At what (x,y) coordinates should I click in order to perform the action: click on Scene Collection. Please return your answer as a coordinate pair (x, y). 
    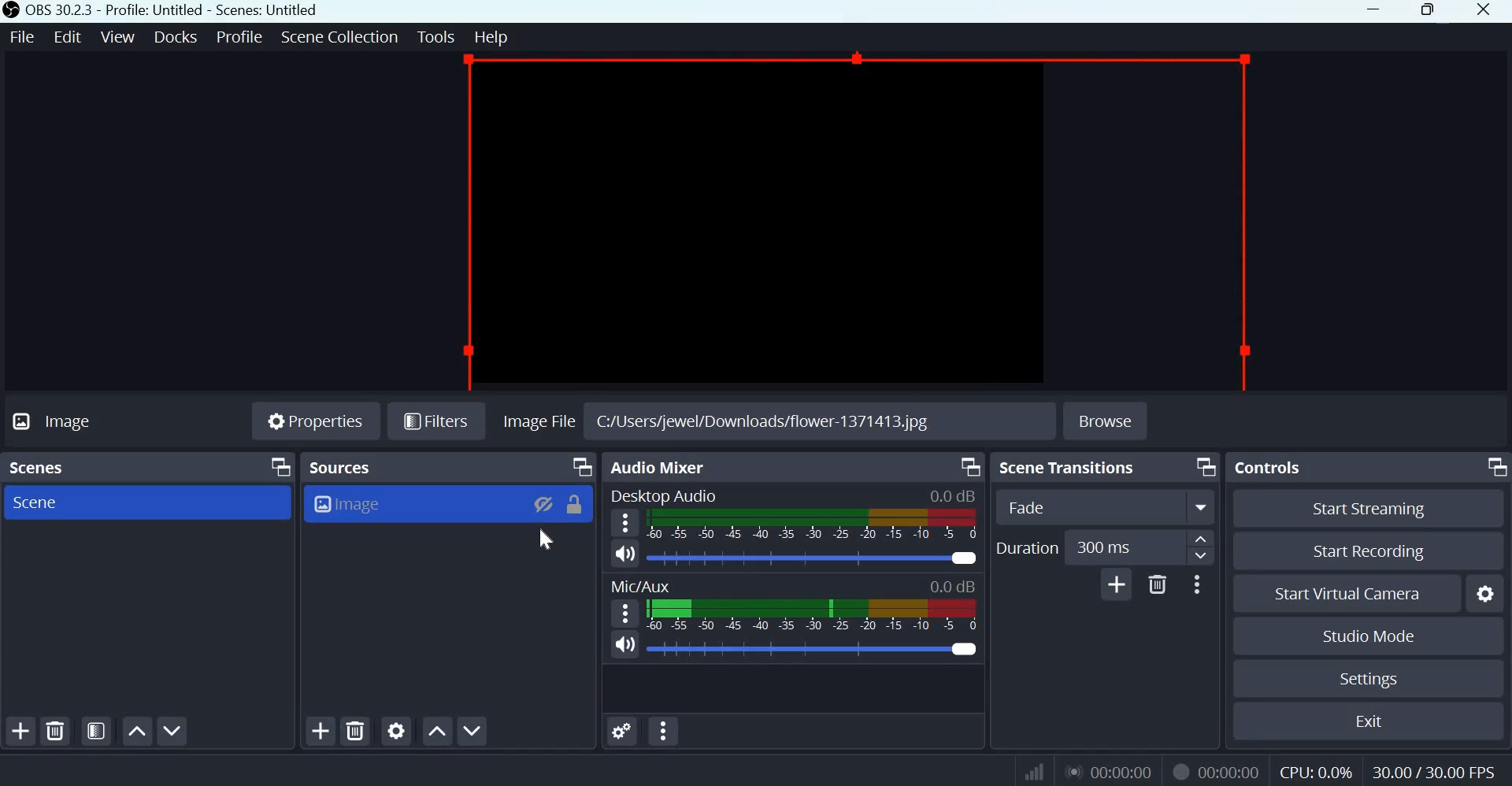
    Looking at the image, I should click on (338, 35).